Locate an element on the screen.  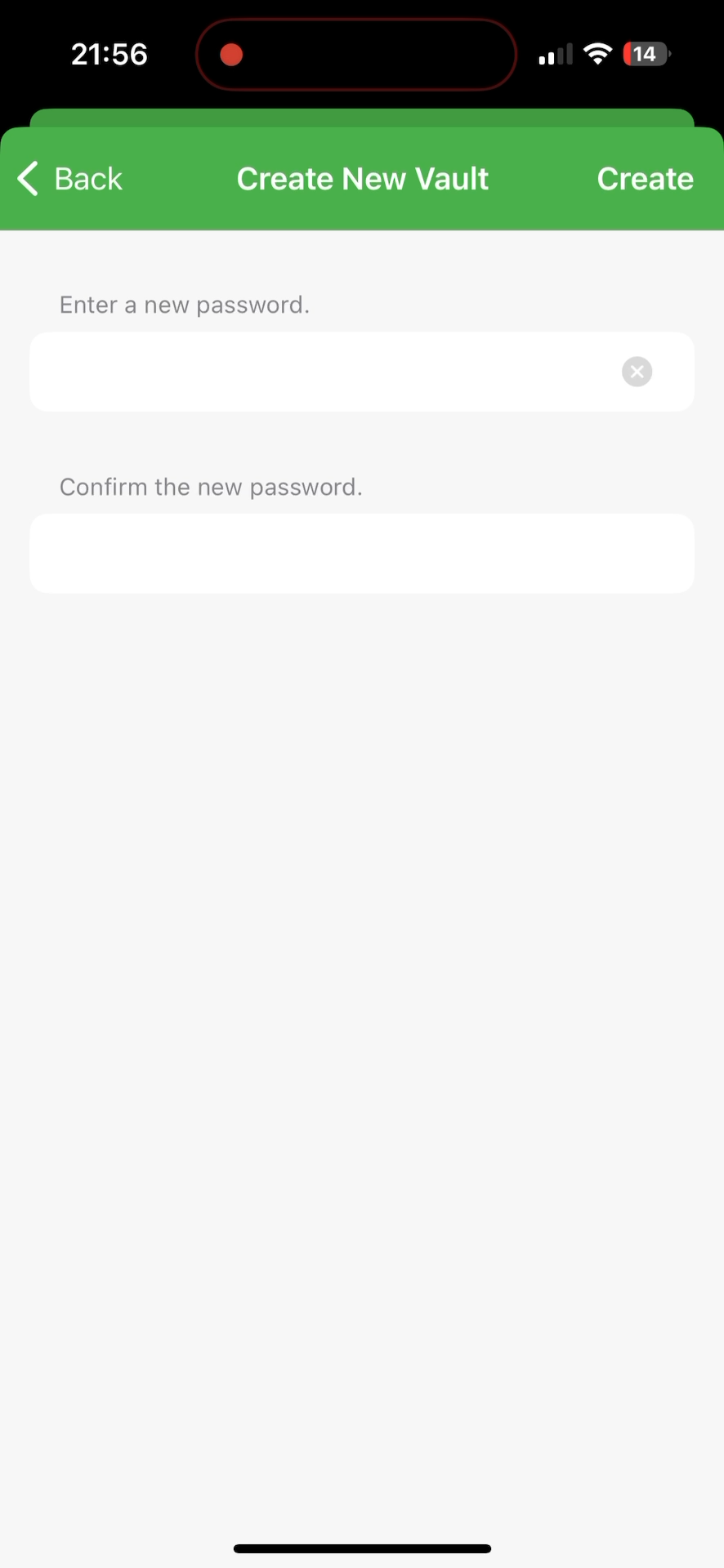
wi-fi is located at coordinates (599, 60).